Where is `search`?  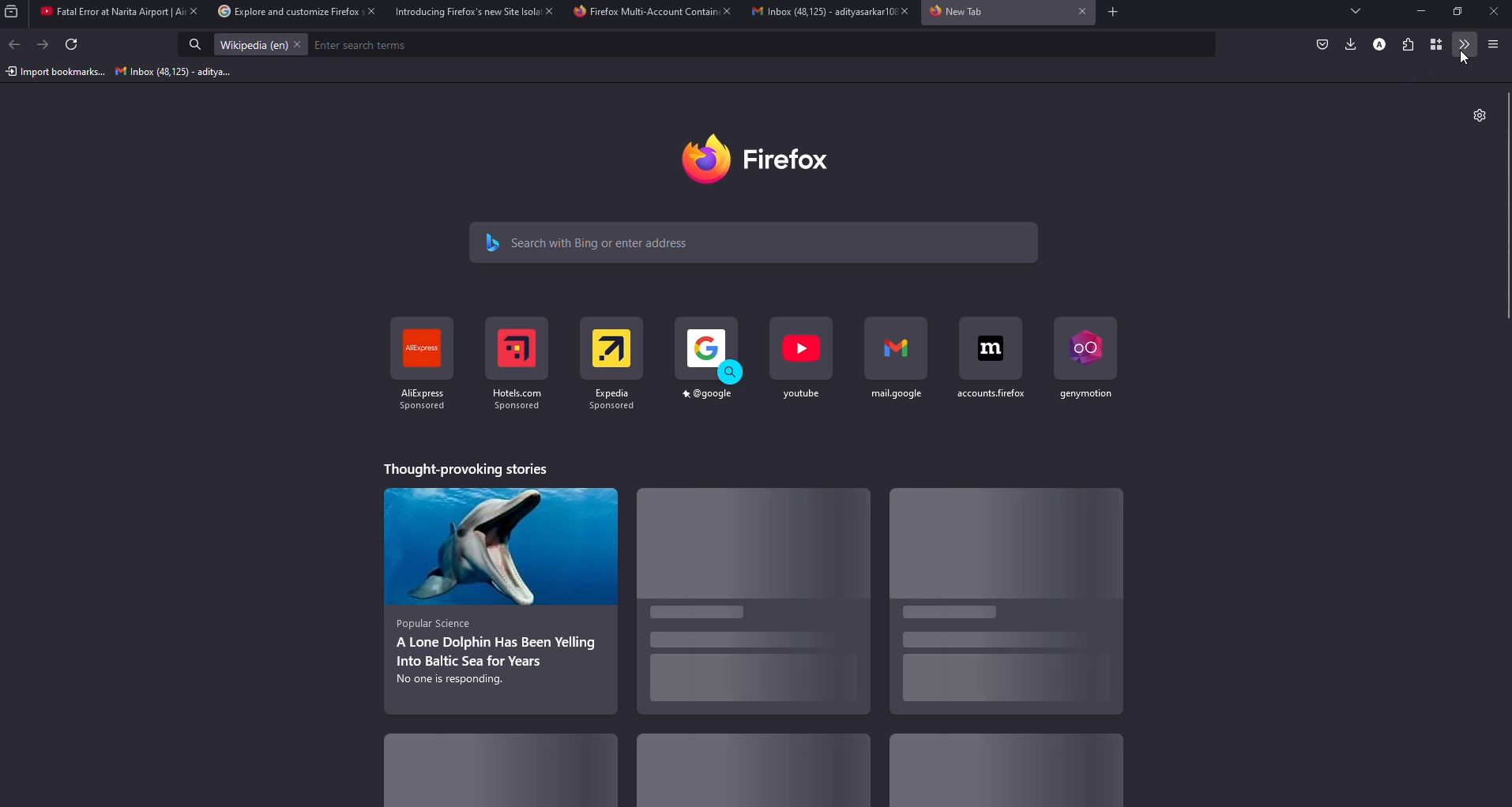 search is located at coordinates (196, 46).